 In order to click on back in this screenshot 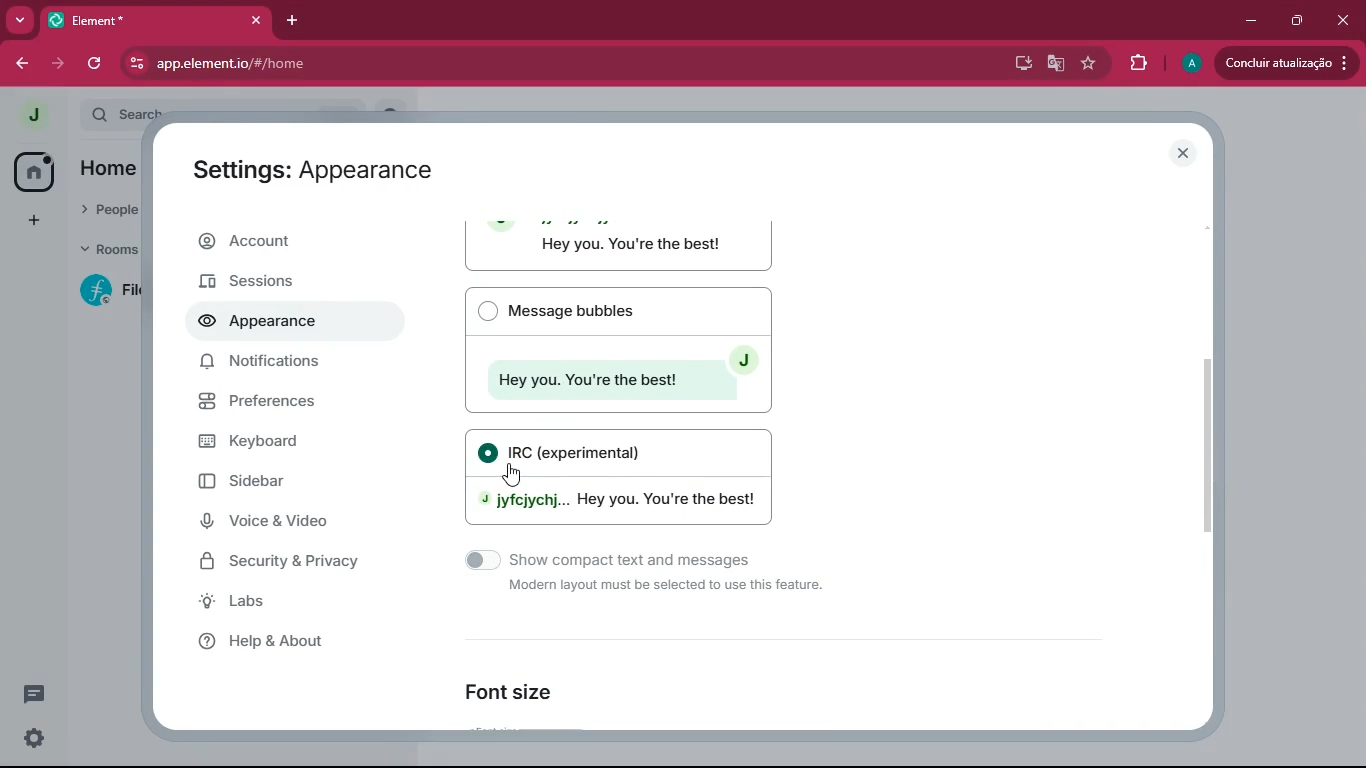, I will do `click(20, 61)`.